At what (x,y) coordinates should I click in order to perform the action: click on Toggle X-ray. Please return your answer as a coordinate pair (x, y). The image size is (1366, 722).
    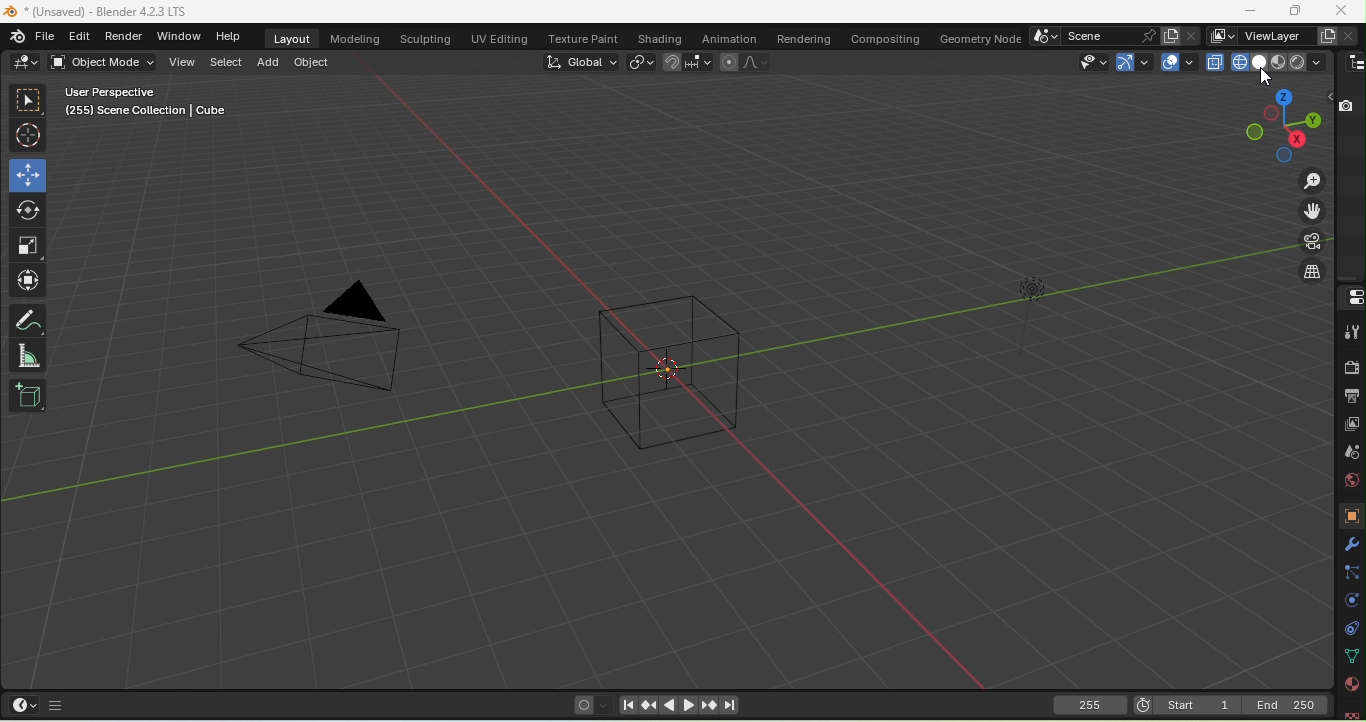
    Looking at the image, I should click on (1214, 62).